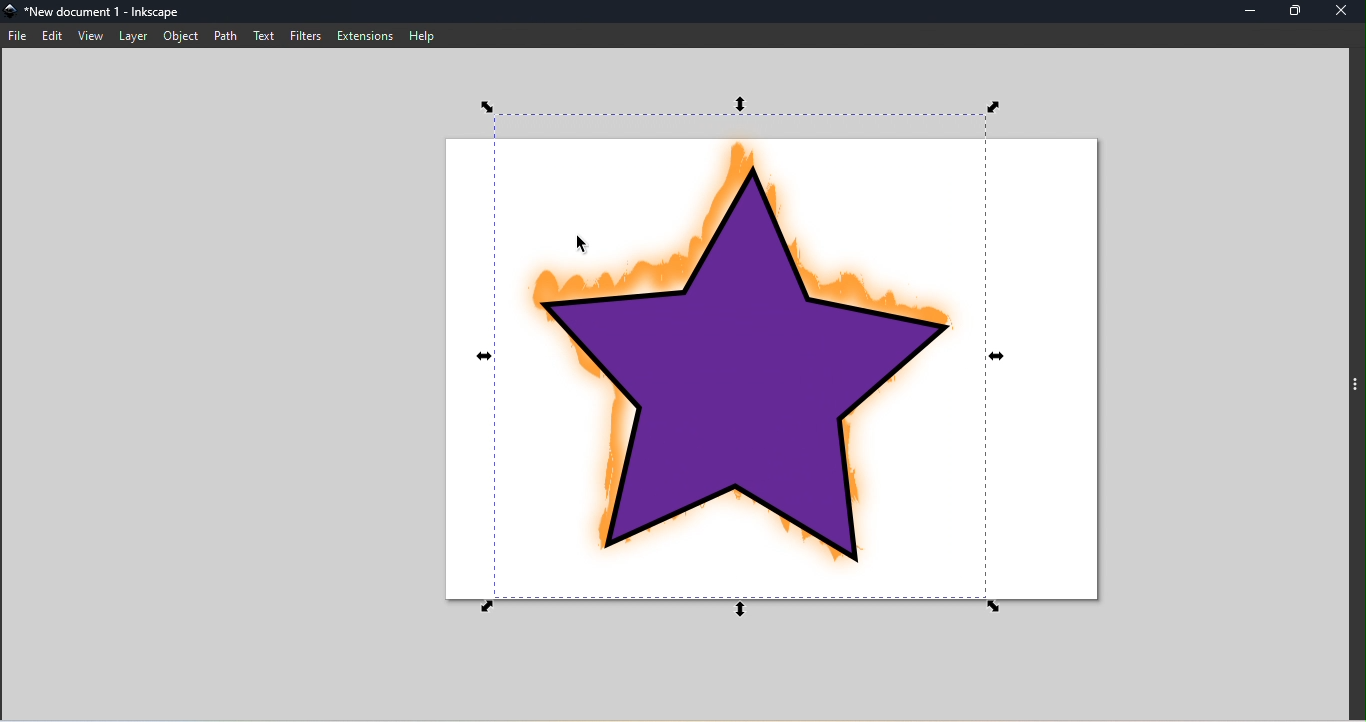  Describe the element at coordinates (18, 36) in the screenshot. I see `file` at that location.